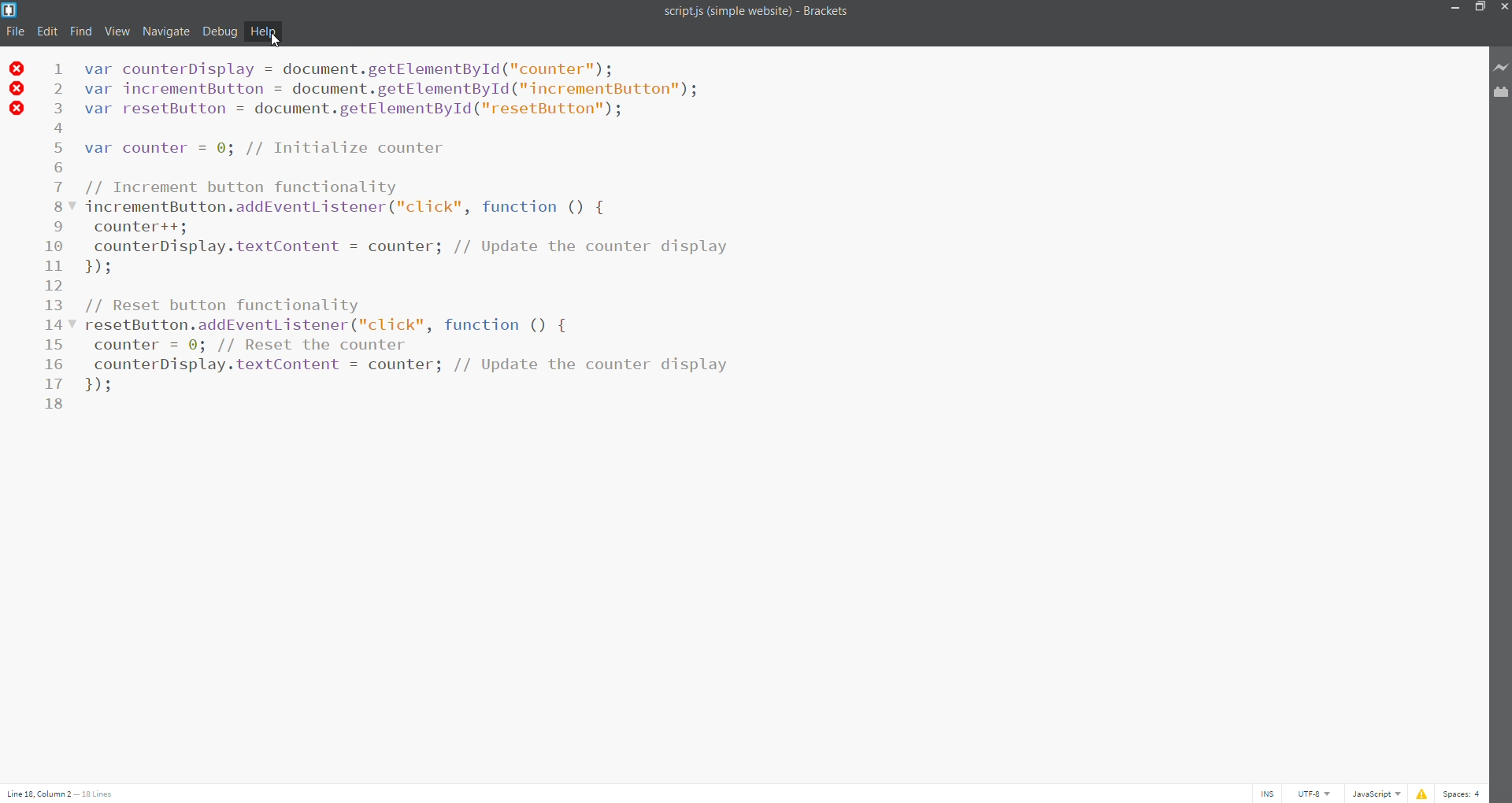  What do you see at coordinates (17, 89) in the screenshot?
I see `line error ` at bounding box center [17, 89].